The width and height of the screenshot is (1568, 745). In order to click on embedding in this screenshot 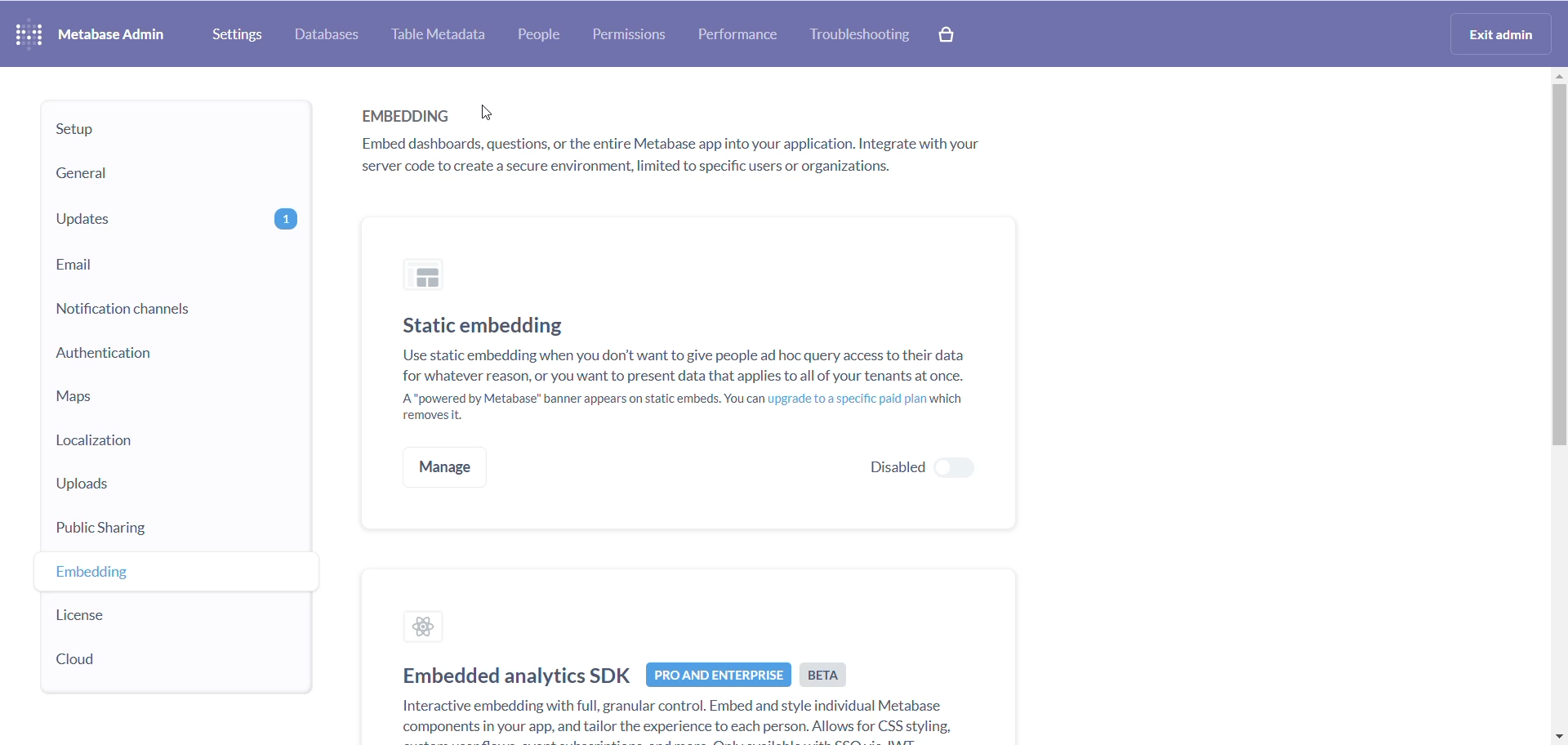, I will do `click(148, 578)`.